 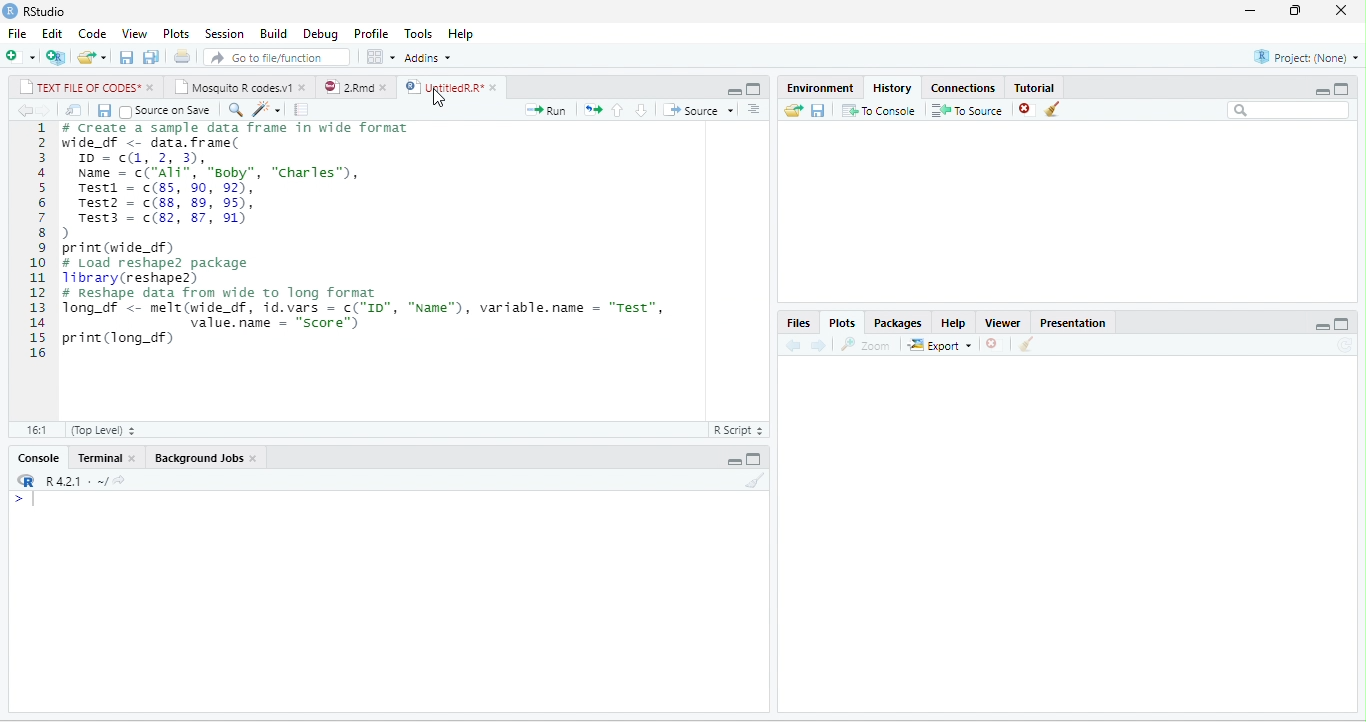 I want to click on save, so click(x=819, y=109).